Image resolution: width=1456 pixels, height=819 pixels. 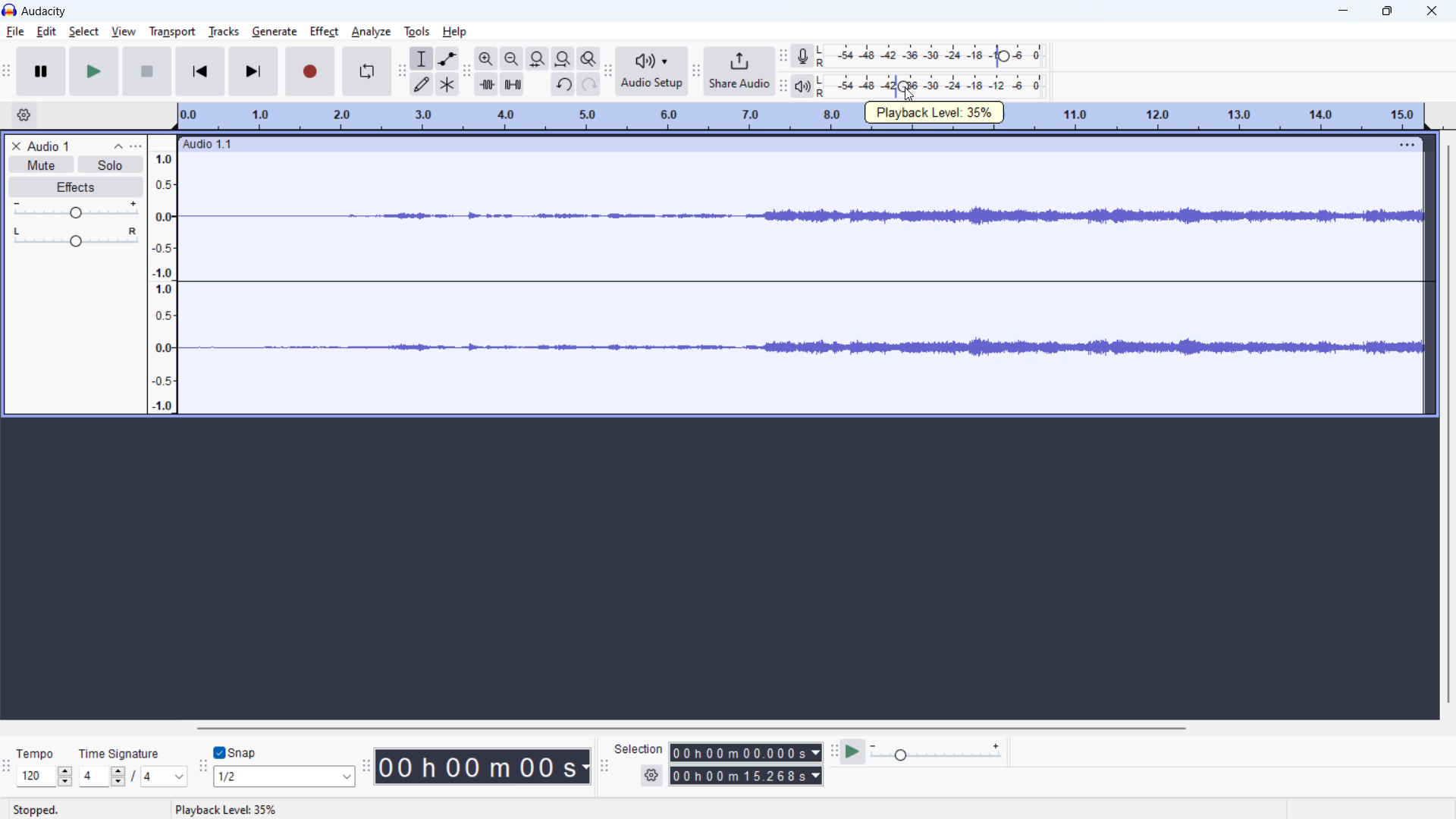 What do you see at coordinates (783, 85) in the screenshot?
I see `playback meter toolbar` at bounding box center [783, 85].